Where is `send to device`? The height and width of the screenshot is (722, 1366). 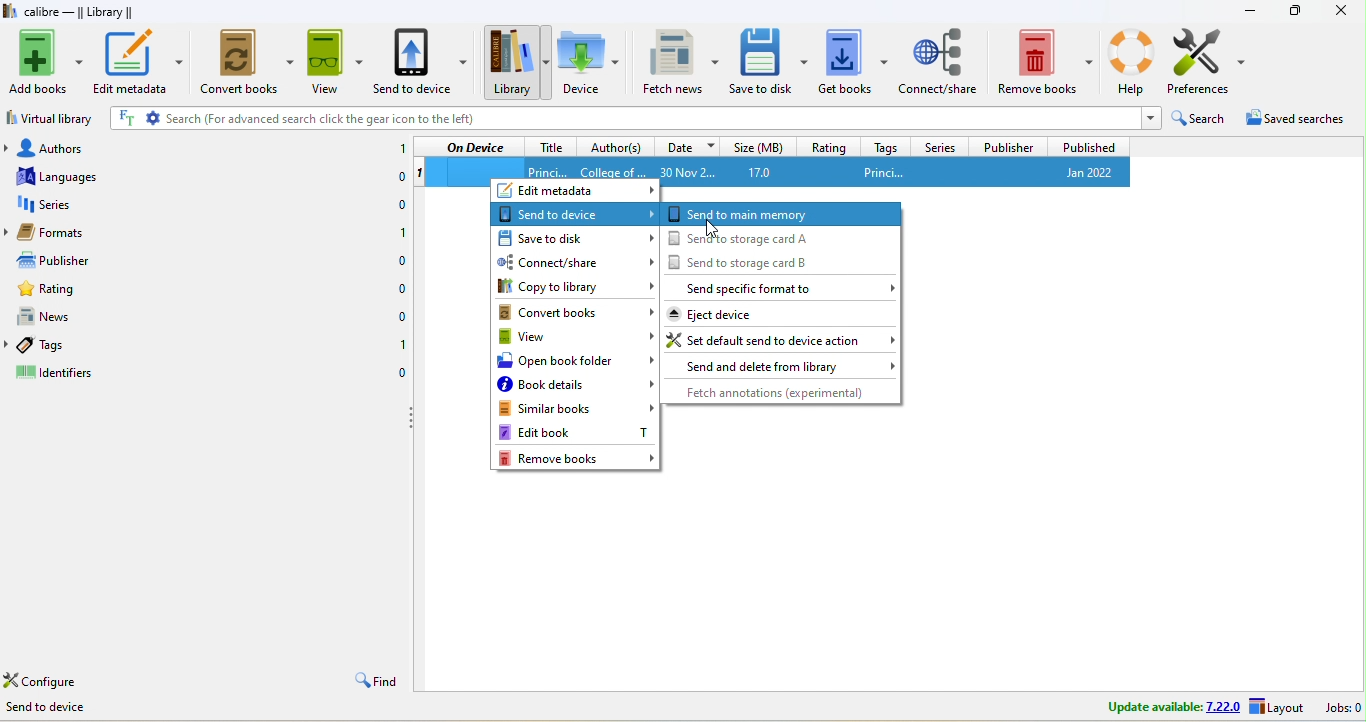 send to device is located at coordinates (575, 212).